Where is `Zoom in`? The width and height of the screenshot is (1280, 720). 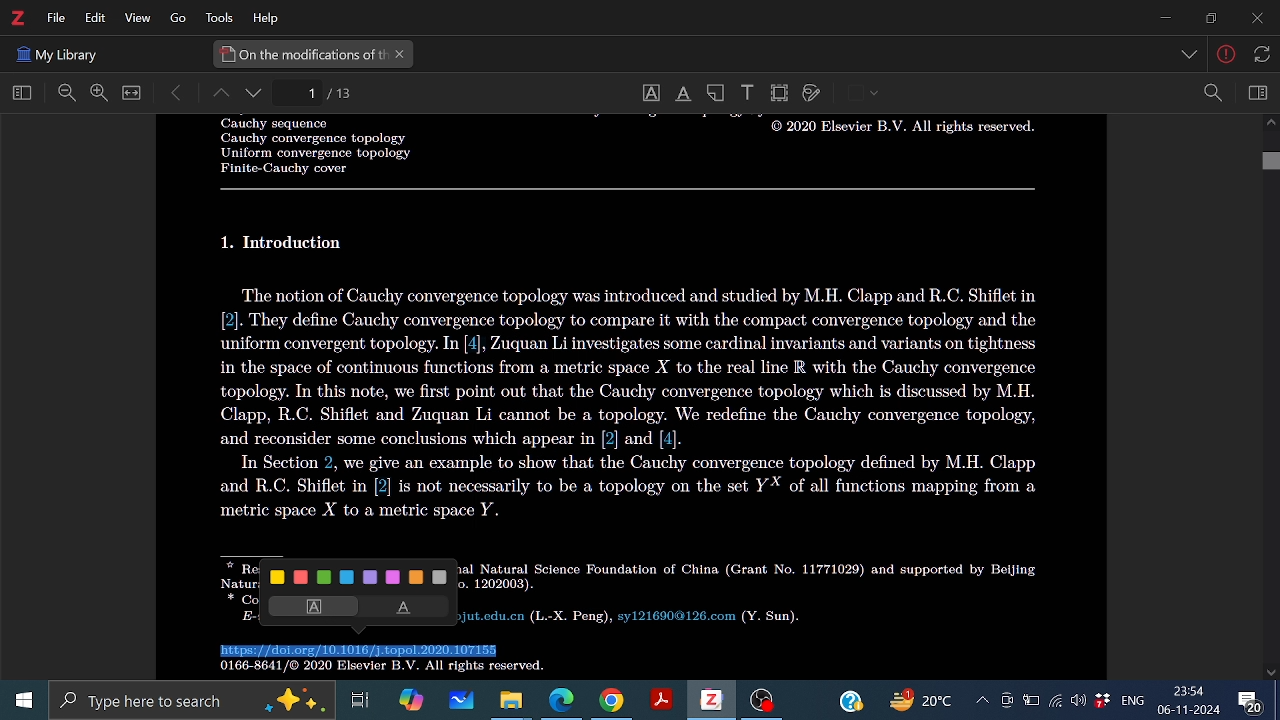 Zoom in is located at coordinates (98, 93).